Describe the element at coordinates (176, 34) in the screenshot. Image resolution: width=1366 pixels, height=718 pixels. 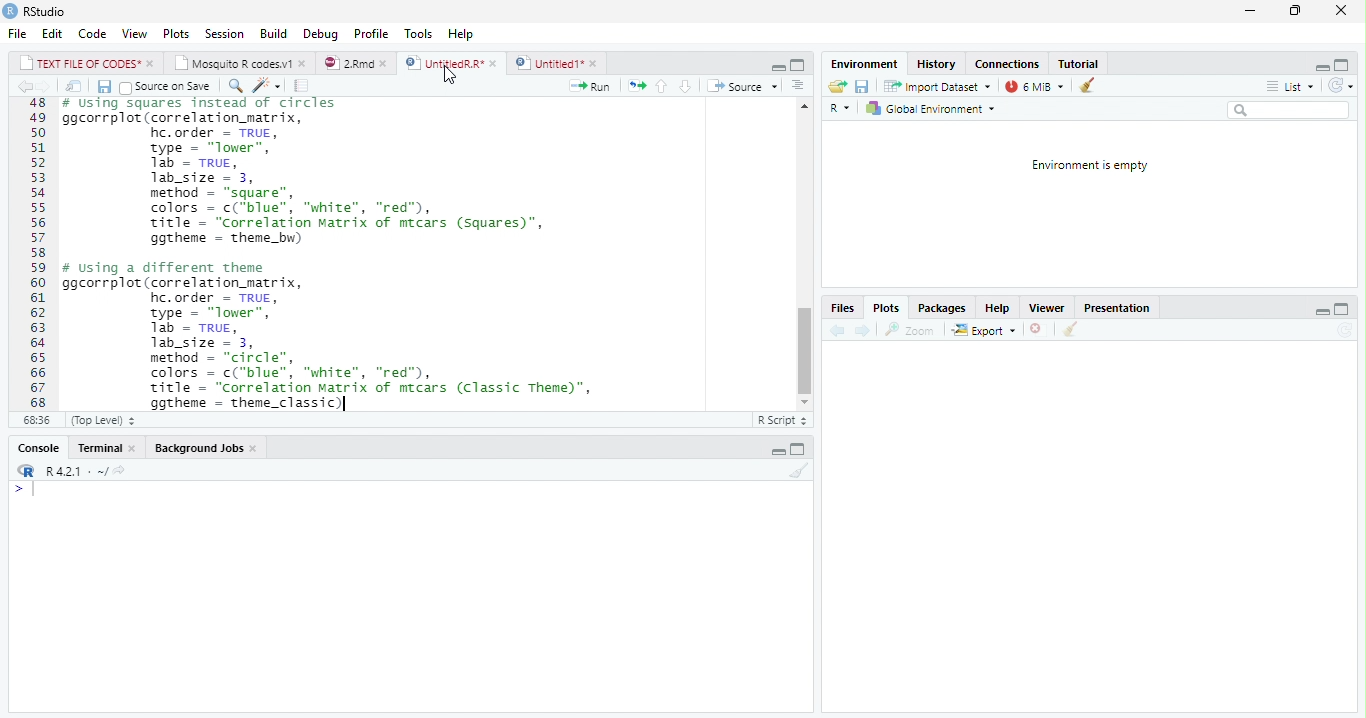
I see `Plots` at that location.